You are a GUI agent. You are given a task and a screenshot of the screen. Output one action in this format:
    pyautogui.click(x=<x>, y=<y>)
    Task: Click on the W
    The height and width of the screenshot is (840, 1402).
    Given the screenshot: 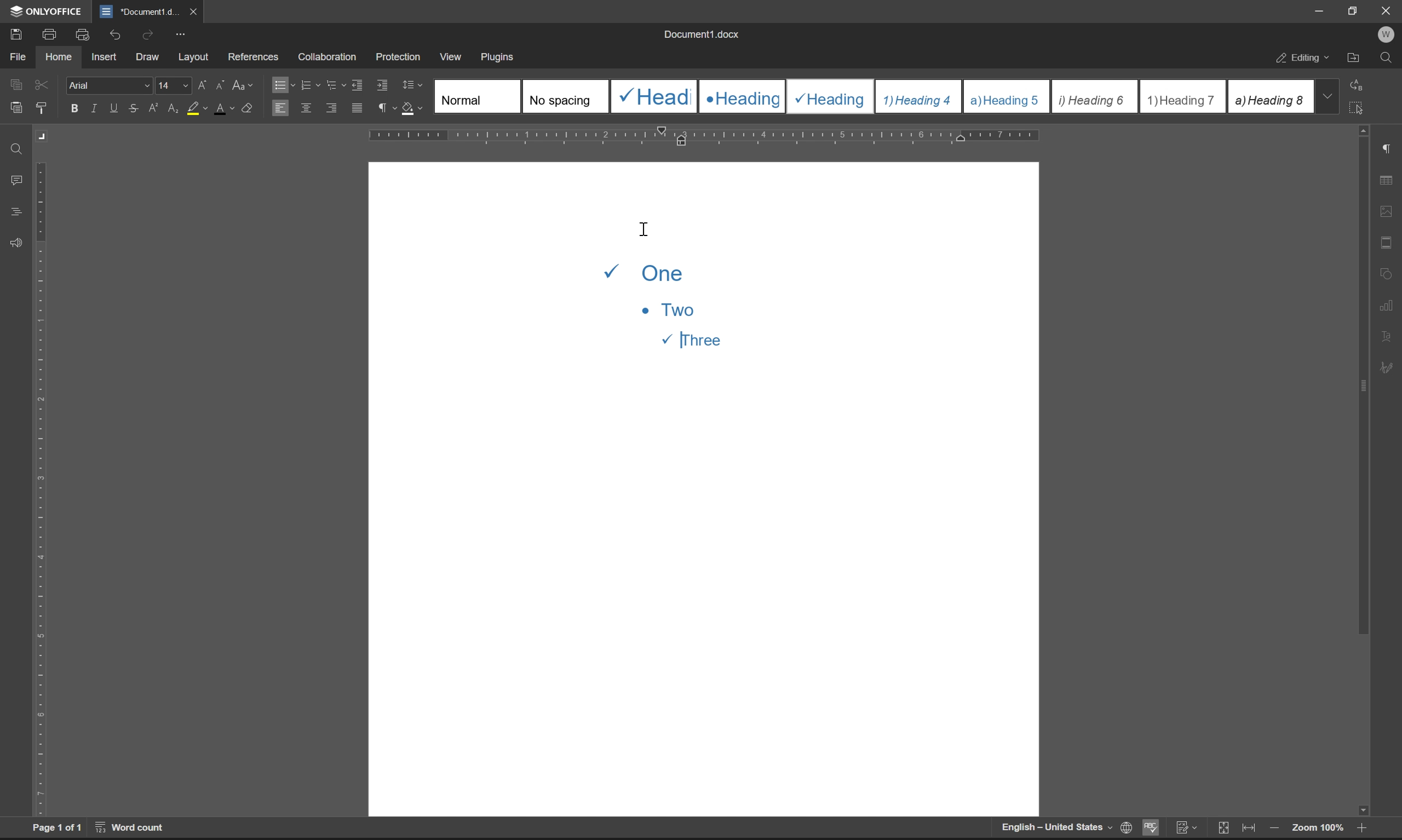 What is the action you would take?
    pyautogui.click(x=1388, y=35)
    